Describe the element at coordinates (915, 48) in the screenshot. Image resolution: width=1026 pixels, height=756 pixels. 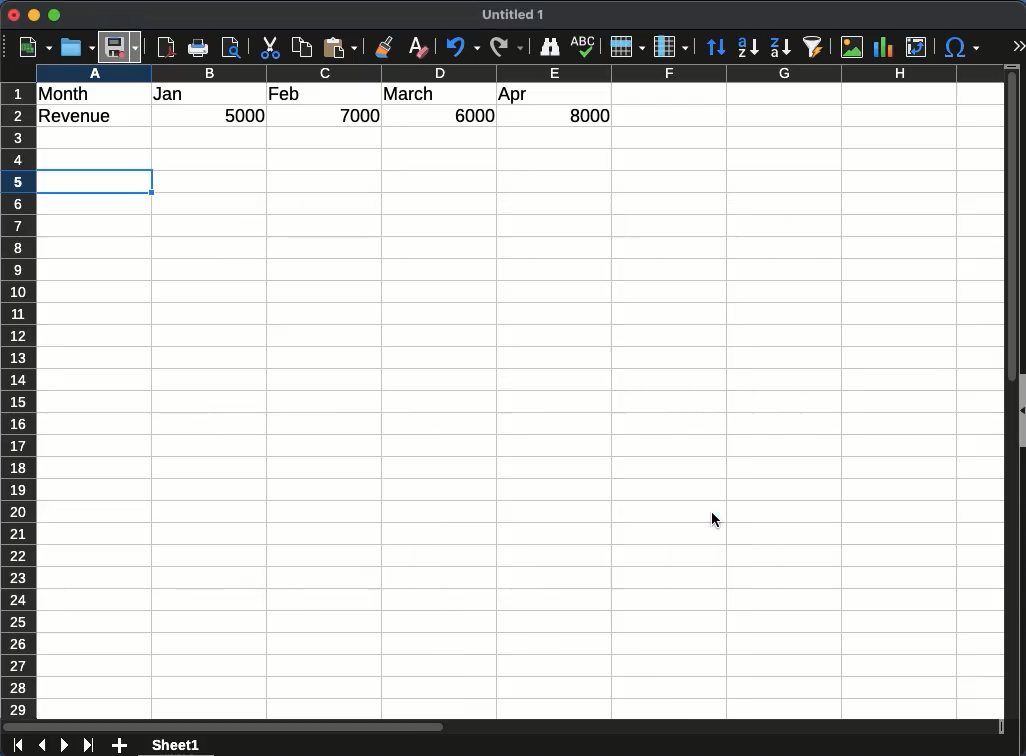
I see `pivot table` at that location.